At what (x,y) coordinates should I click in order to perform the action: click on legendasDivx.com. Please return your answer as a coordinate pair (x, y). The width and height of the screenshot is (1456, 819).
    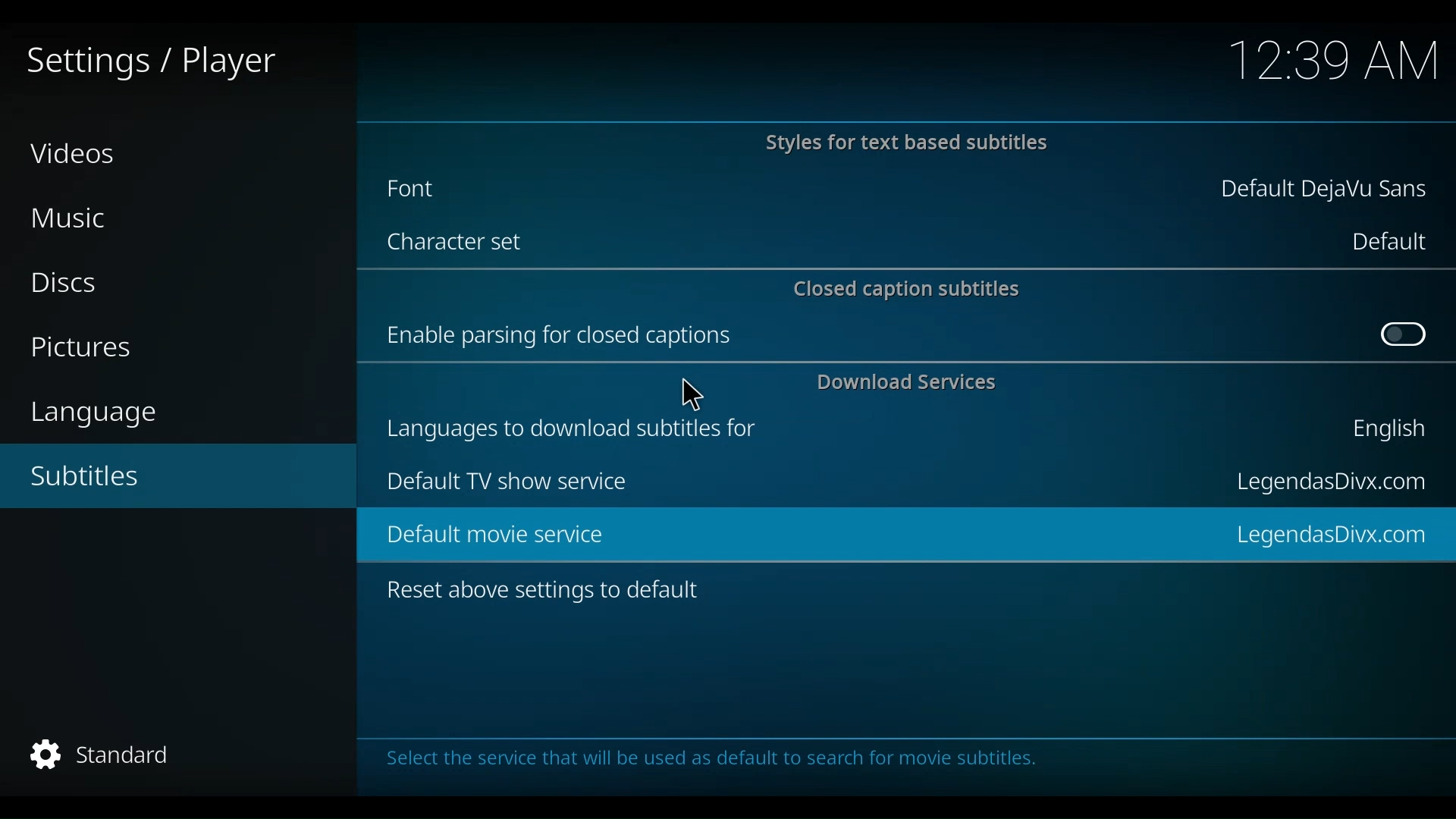
    Looking at the image, I should click on (1329, 483).